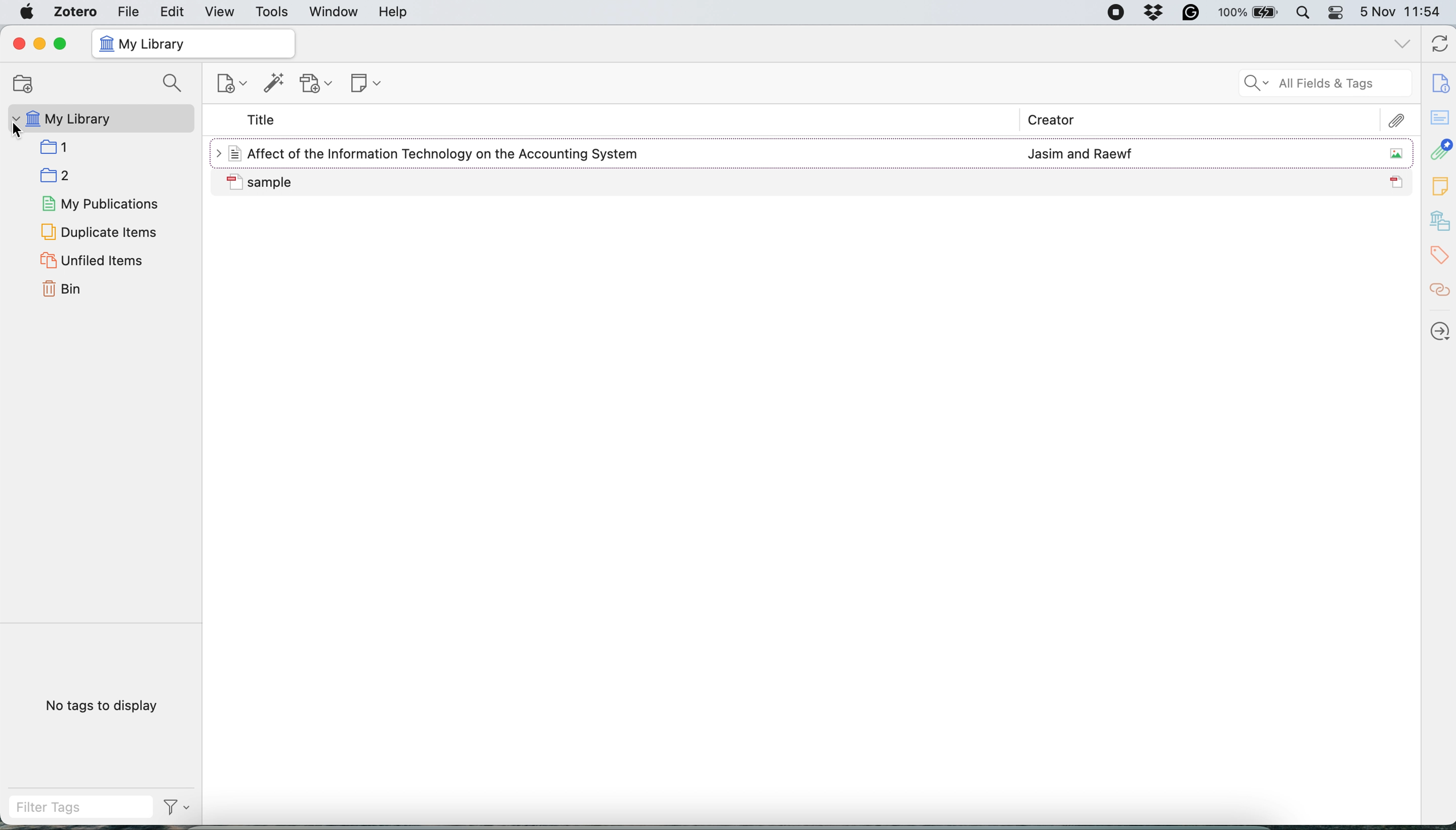  Describe the element at coordinates (315, 82) in the screenshot. I see `new attachment` at that location.